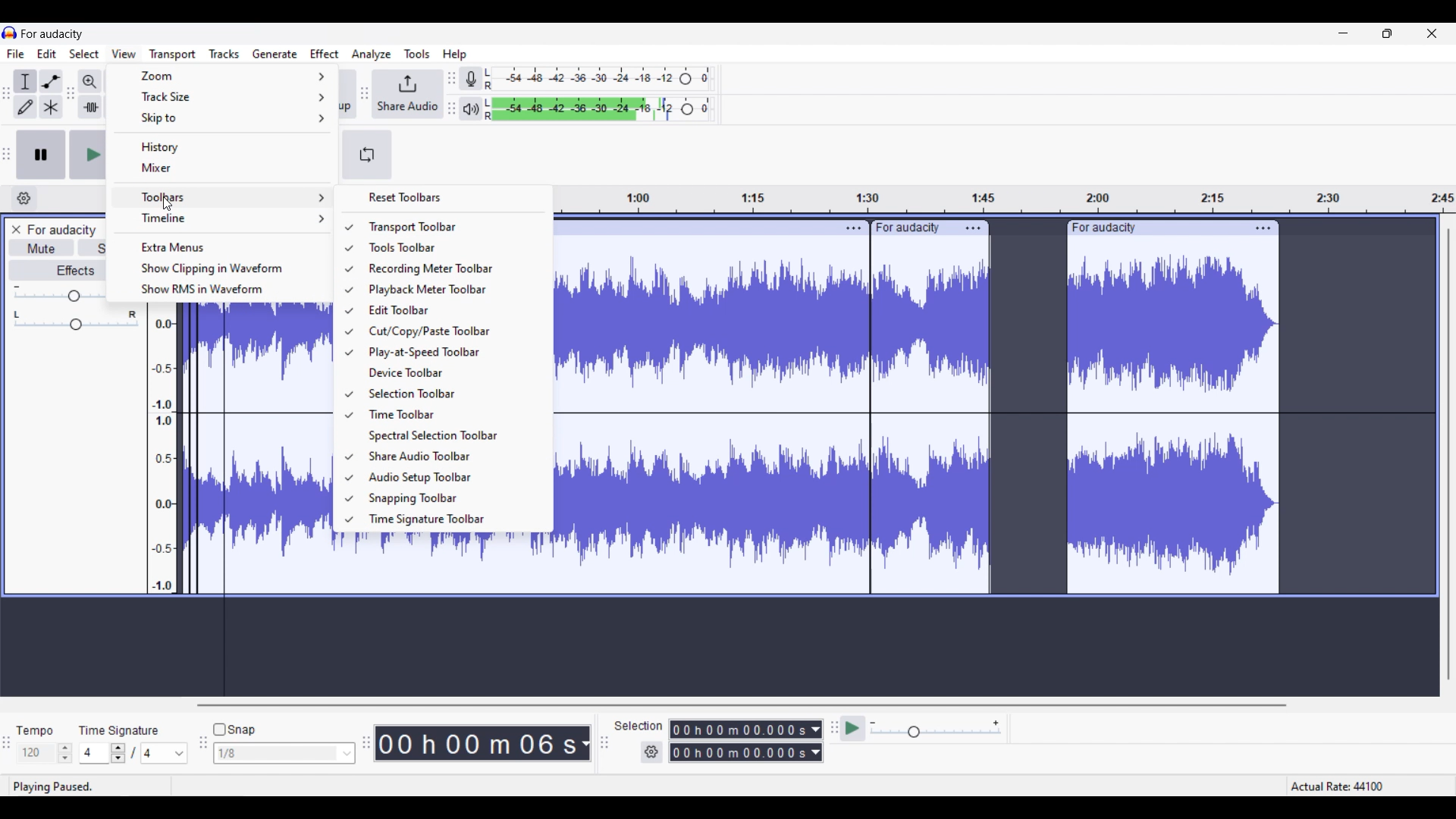  What do you see at coordinates (225, 290) in the screenshot?
I see `Show RMS in waveform` at bounding box center [225, 290].